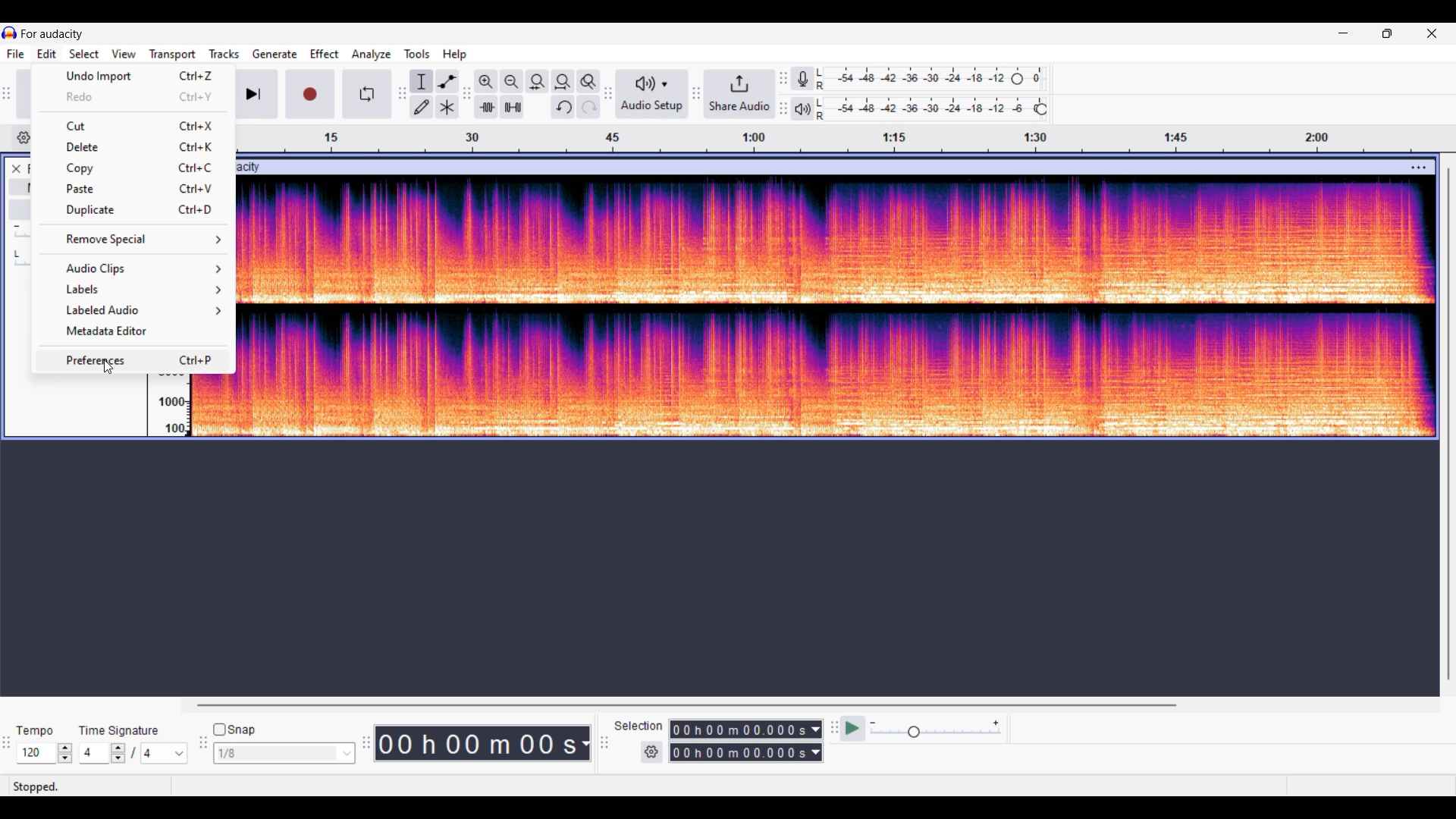 This screenshot has height=819, width=1456. I want to click on Label options , so click(134, 289).